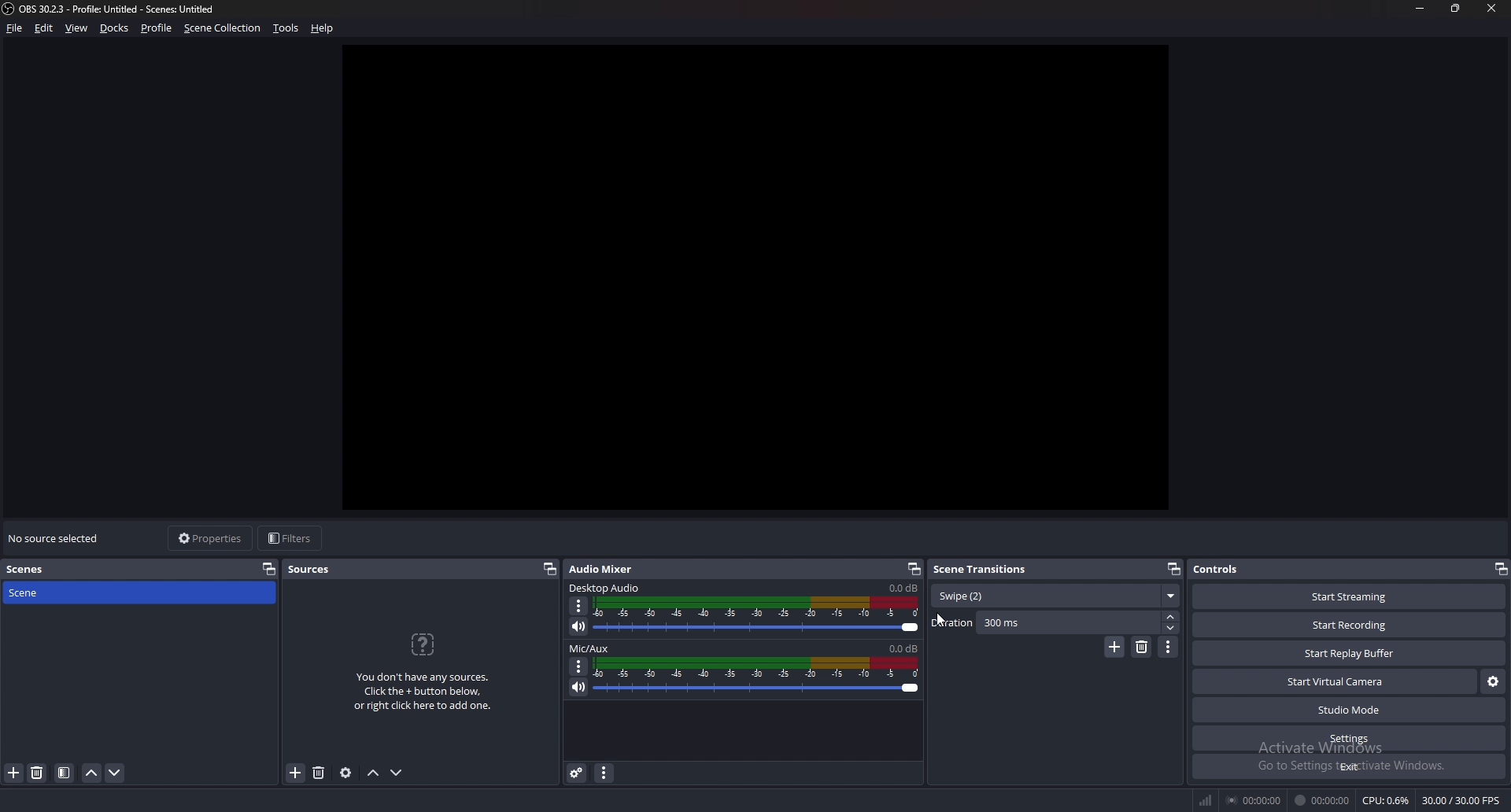 The height and width of the screenshot is (812, 1511). What do you see at coordinates (579, 606) in the screenshot?
I see `options` at bounding box center [579, 606].